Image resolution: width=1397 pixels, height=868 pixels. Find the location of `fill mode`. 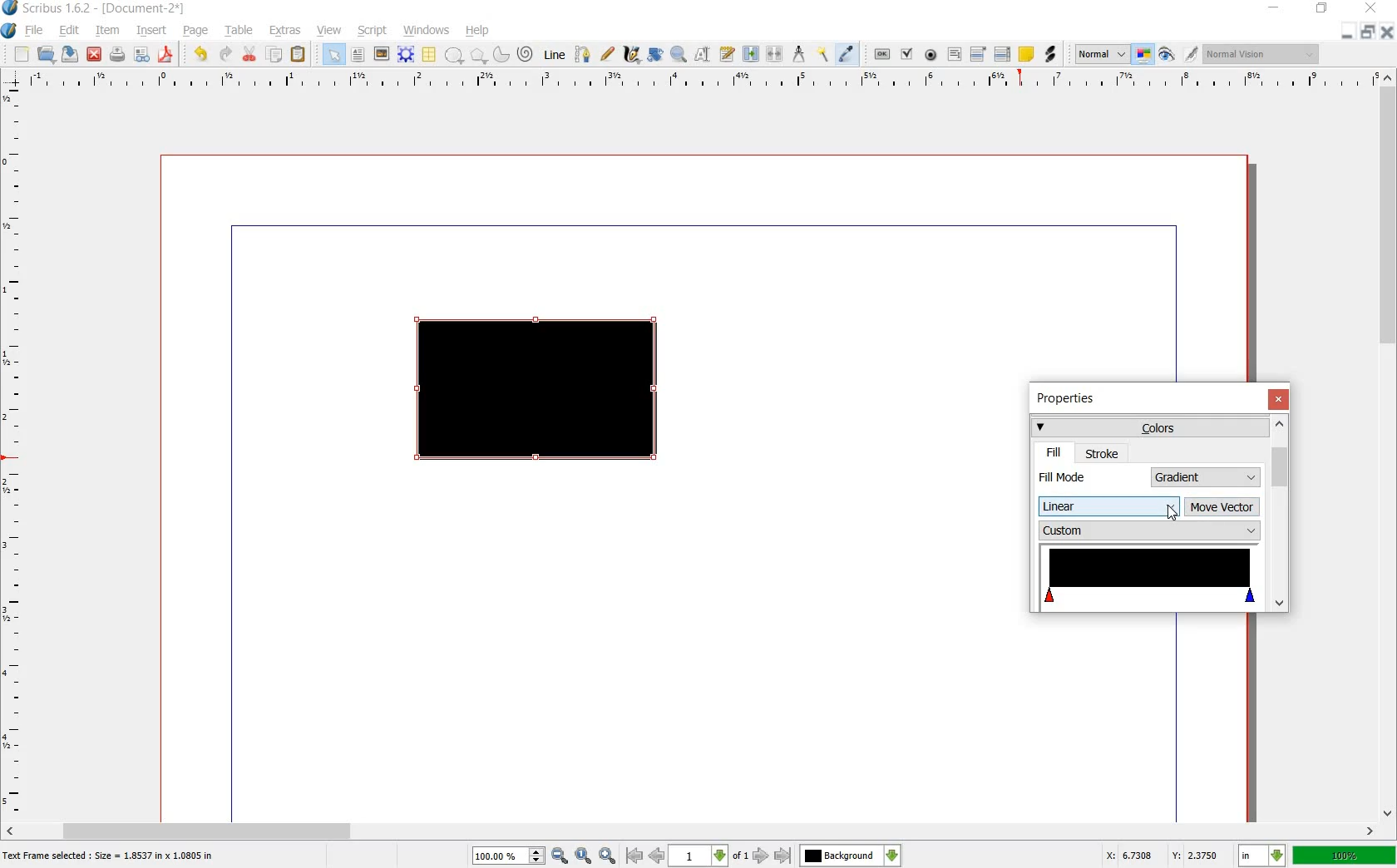

fill mode is located at coordinates (1091, 476).